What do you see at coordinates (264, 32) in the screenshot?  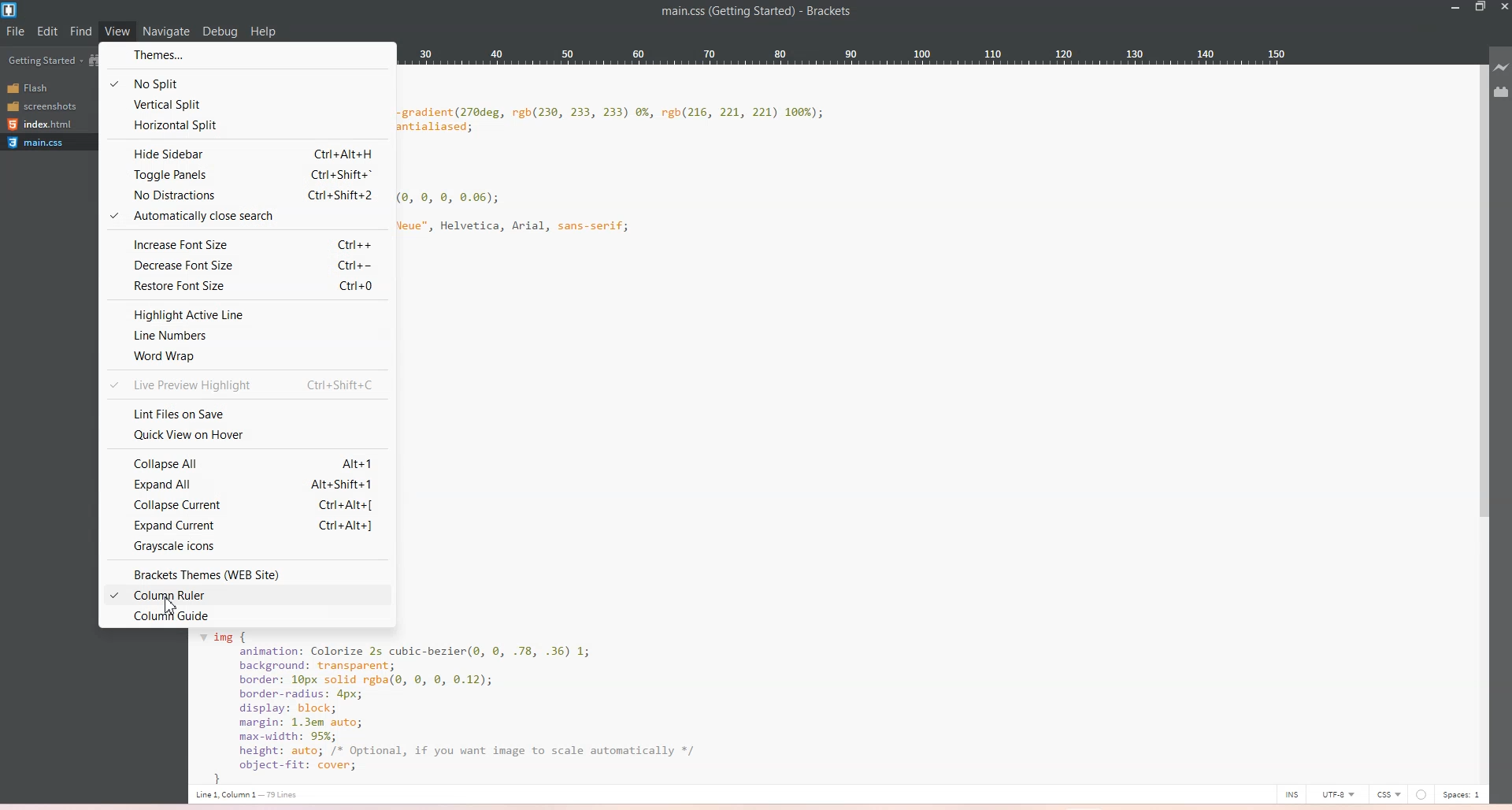 I see `help` at bounding box center [264, 32].